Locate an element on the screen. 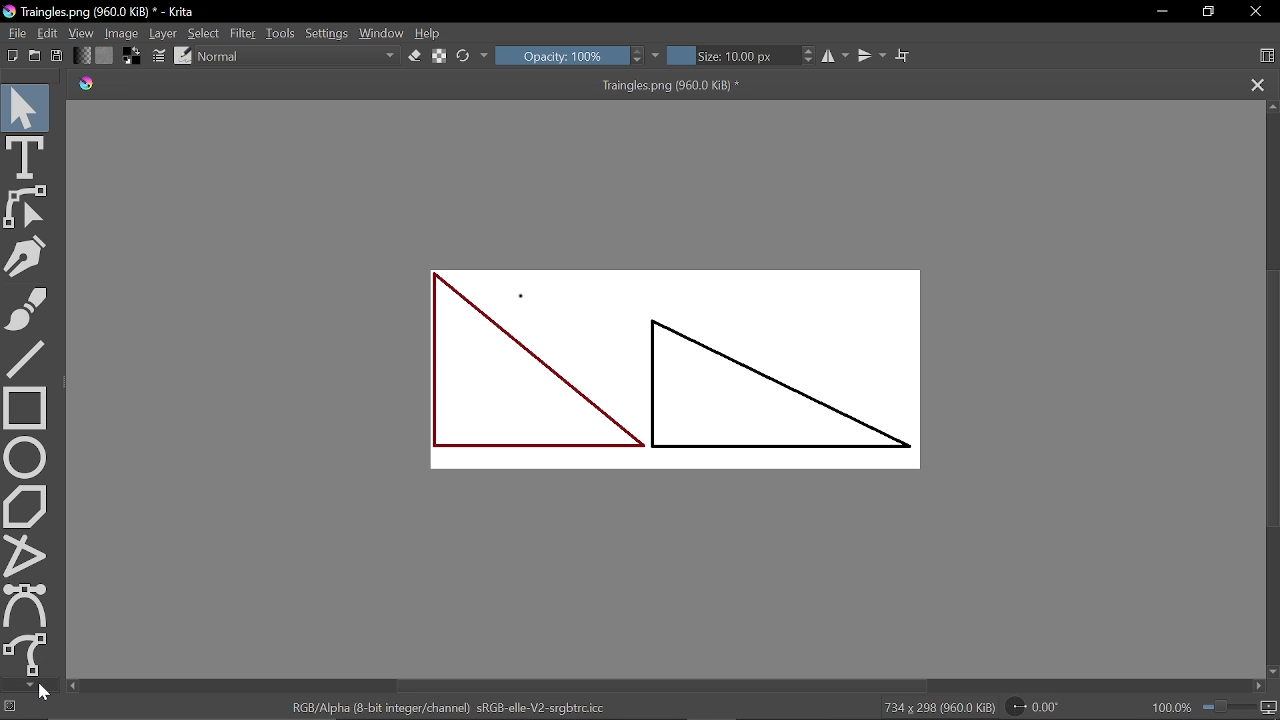 This screenshot has height=720, width=1280. Horizontal mirror is located at coordinates (833, 58).